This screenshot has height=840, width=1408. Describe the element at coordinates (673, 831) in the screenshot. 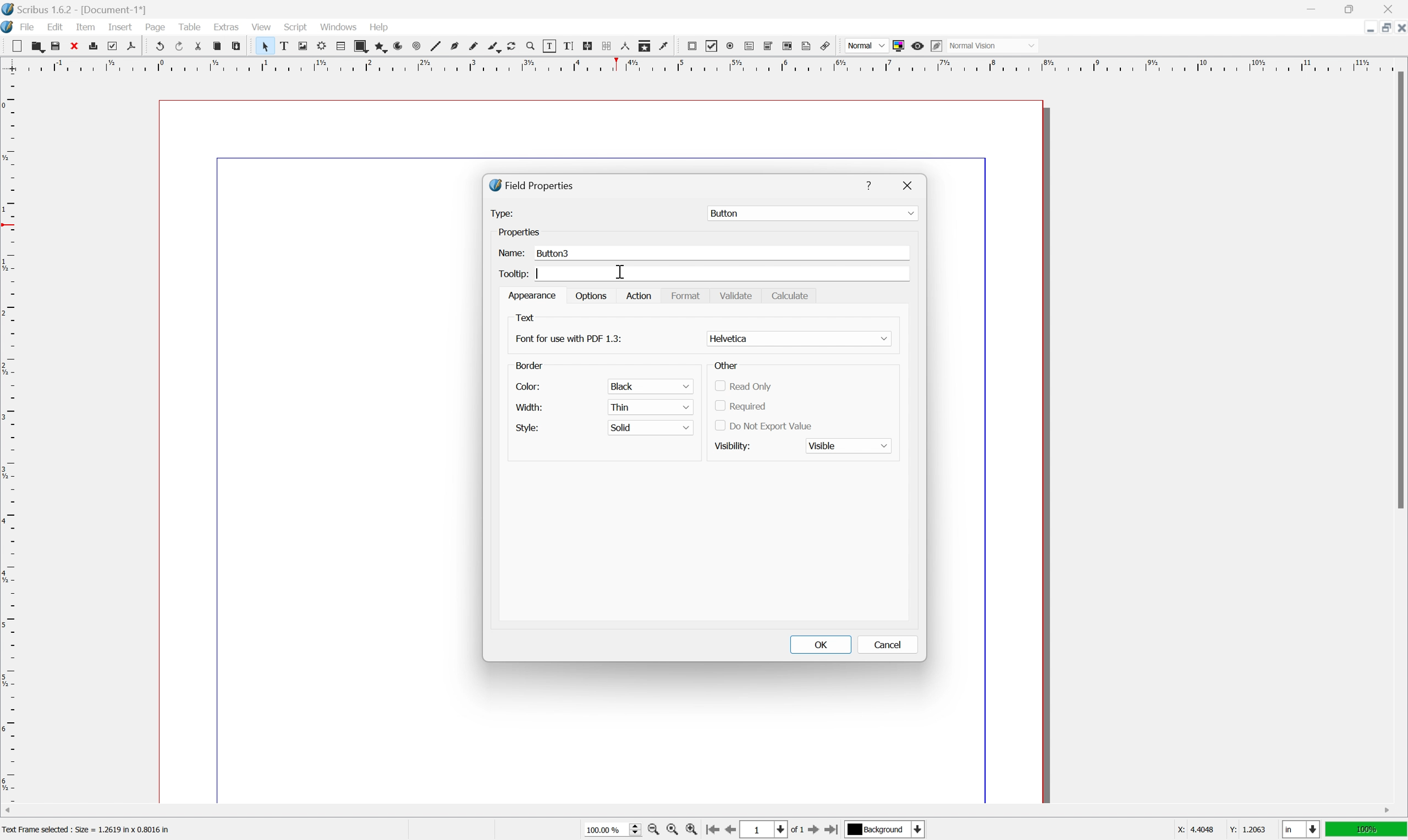

I see `zoom to 100%` at that location.